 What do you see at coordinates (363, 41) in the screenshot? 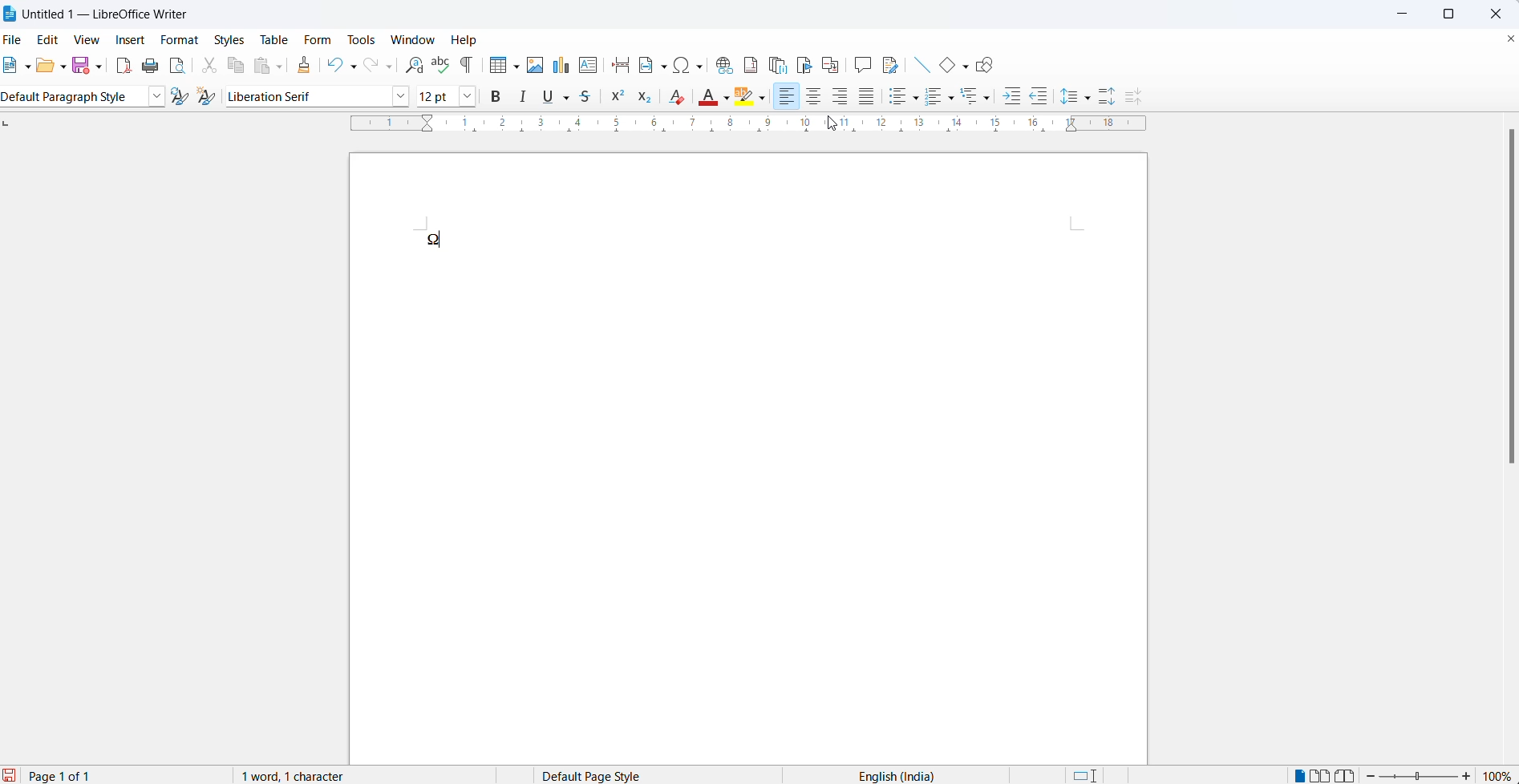
I see `tools` at bounding box center [363, 41].